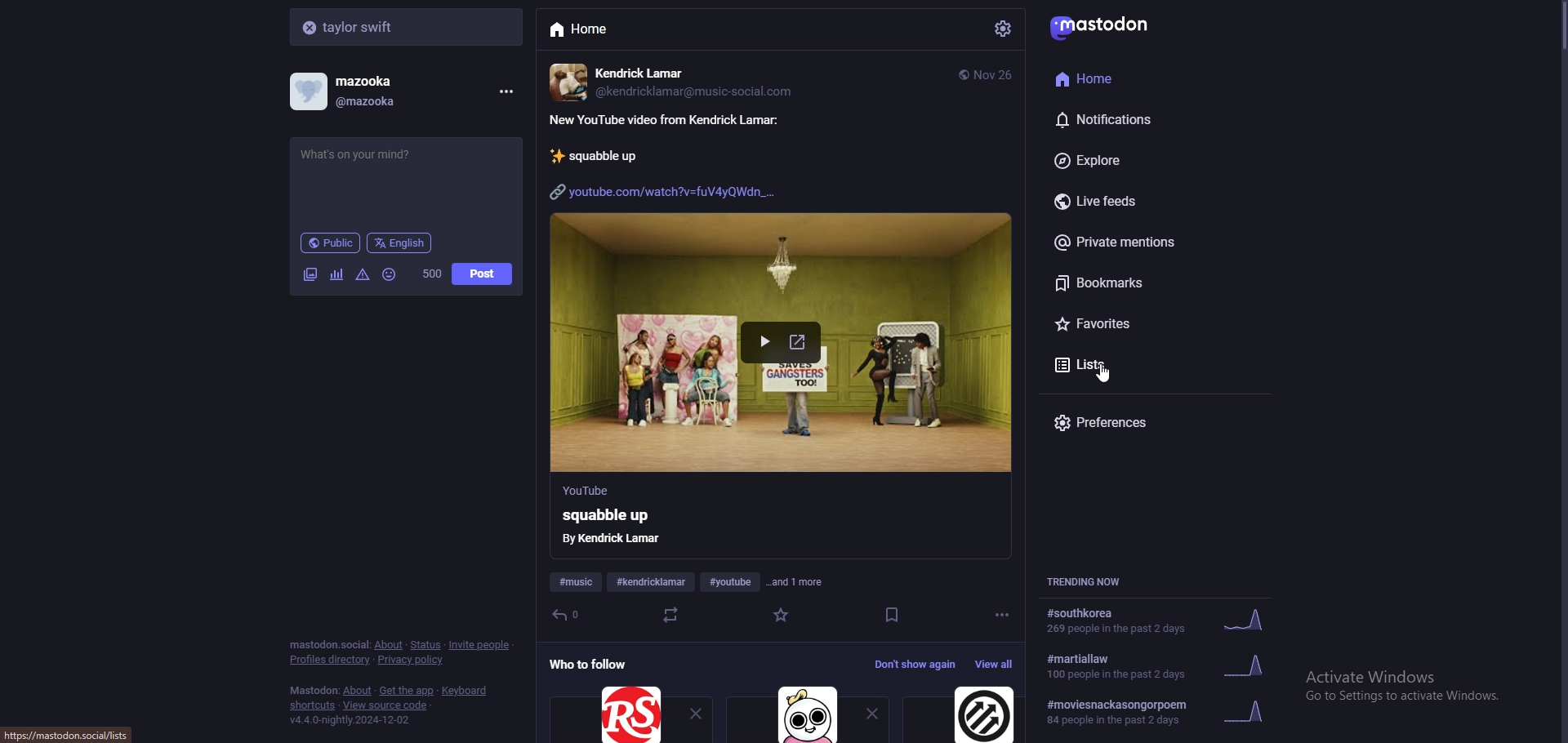 The width and height of the screenshot is (1568, 743). Describe the element at coordinates (363, 274) in the screenshot. I see `warning` at that location.